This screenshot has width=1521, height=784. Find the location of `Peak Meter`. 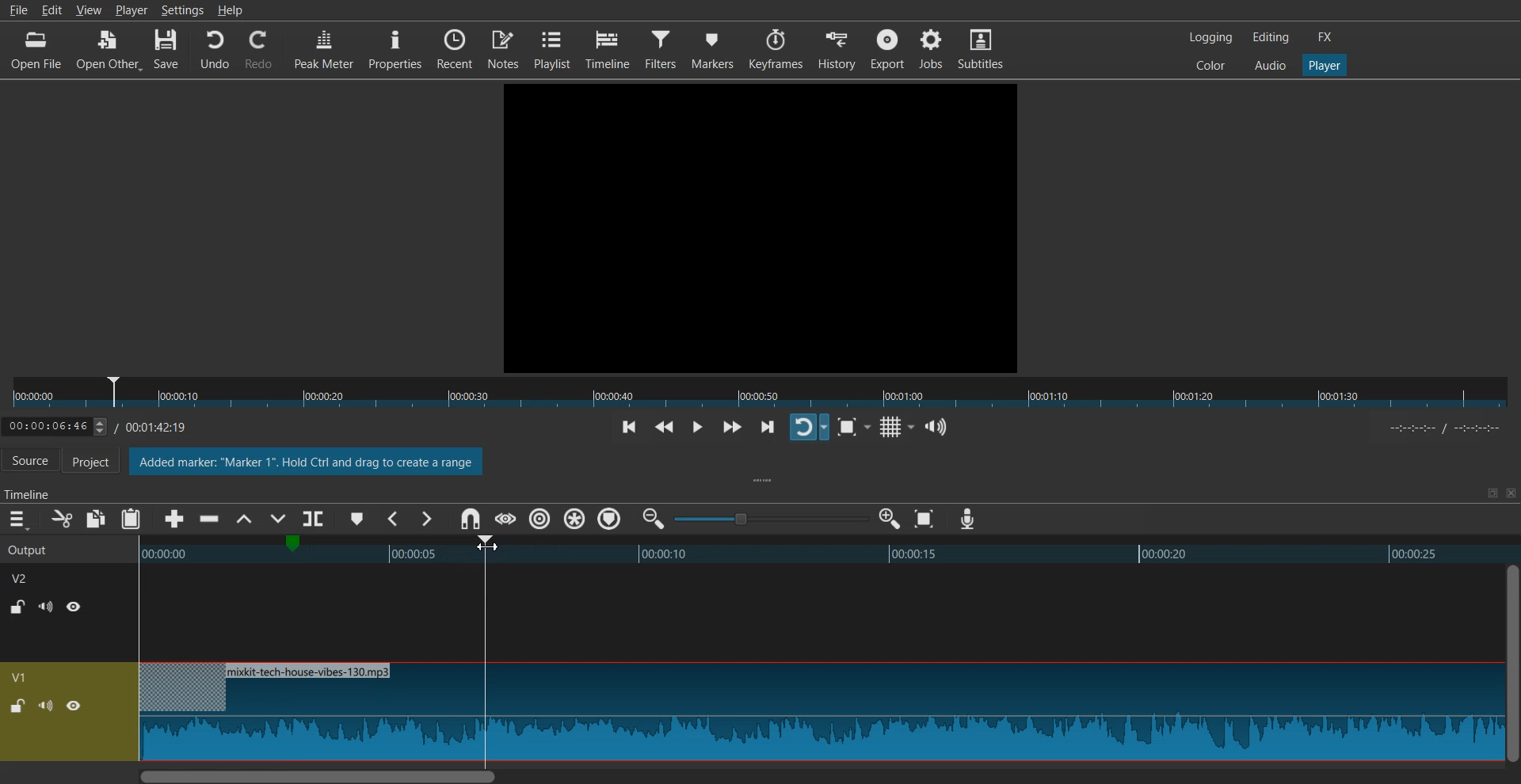

Peak Meter is located at coordinates (324, 48).